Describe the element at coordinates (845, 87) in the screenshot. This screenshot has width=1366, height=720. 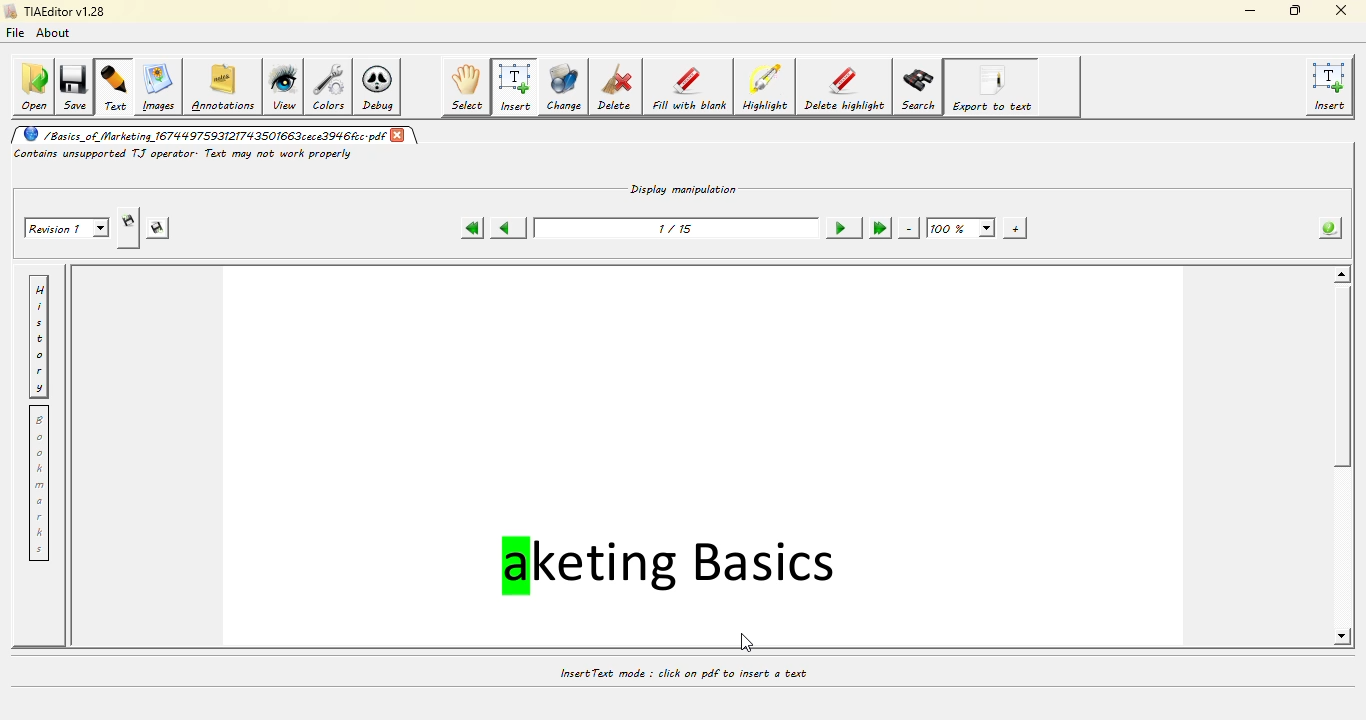
I see `delete highlight` at that location.